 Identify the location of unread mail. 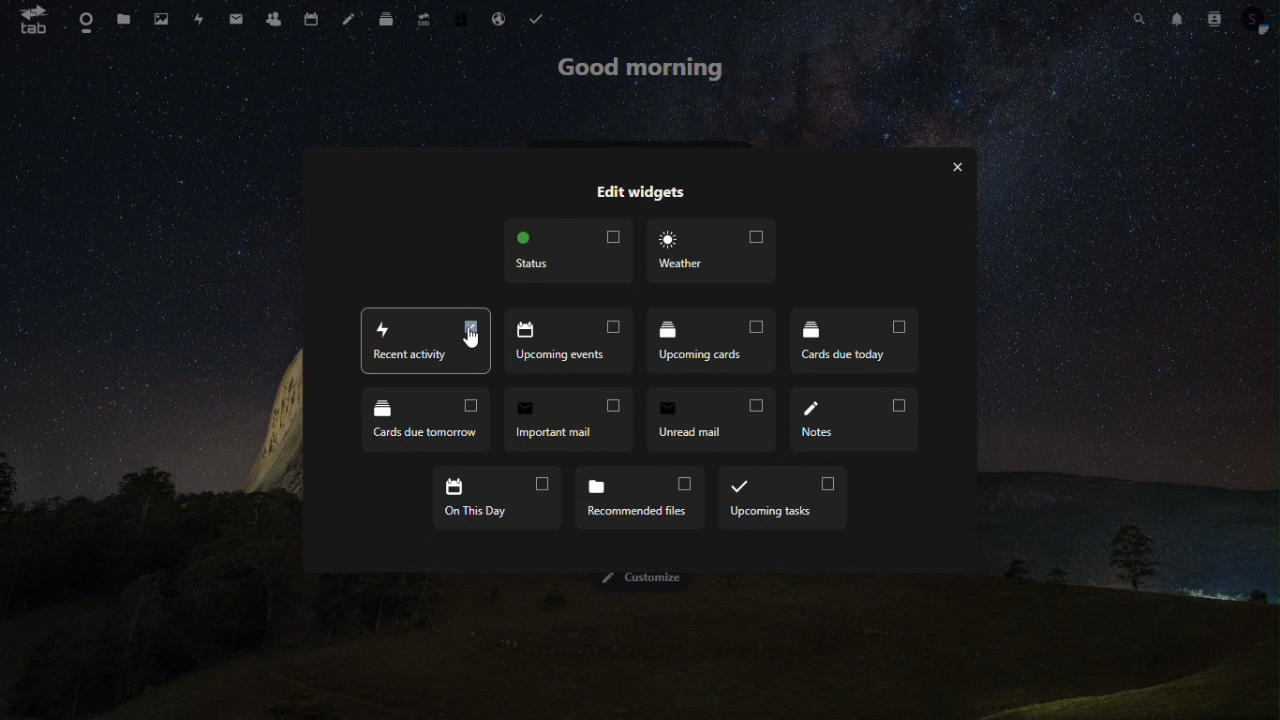
(713, 420).